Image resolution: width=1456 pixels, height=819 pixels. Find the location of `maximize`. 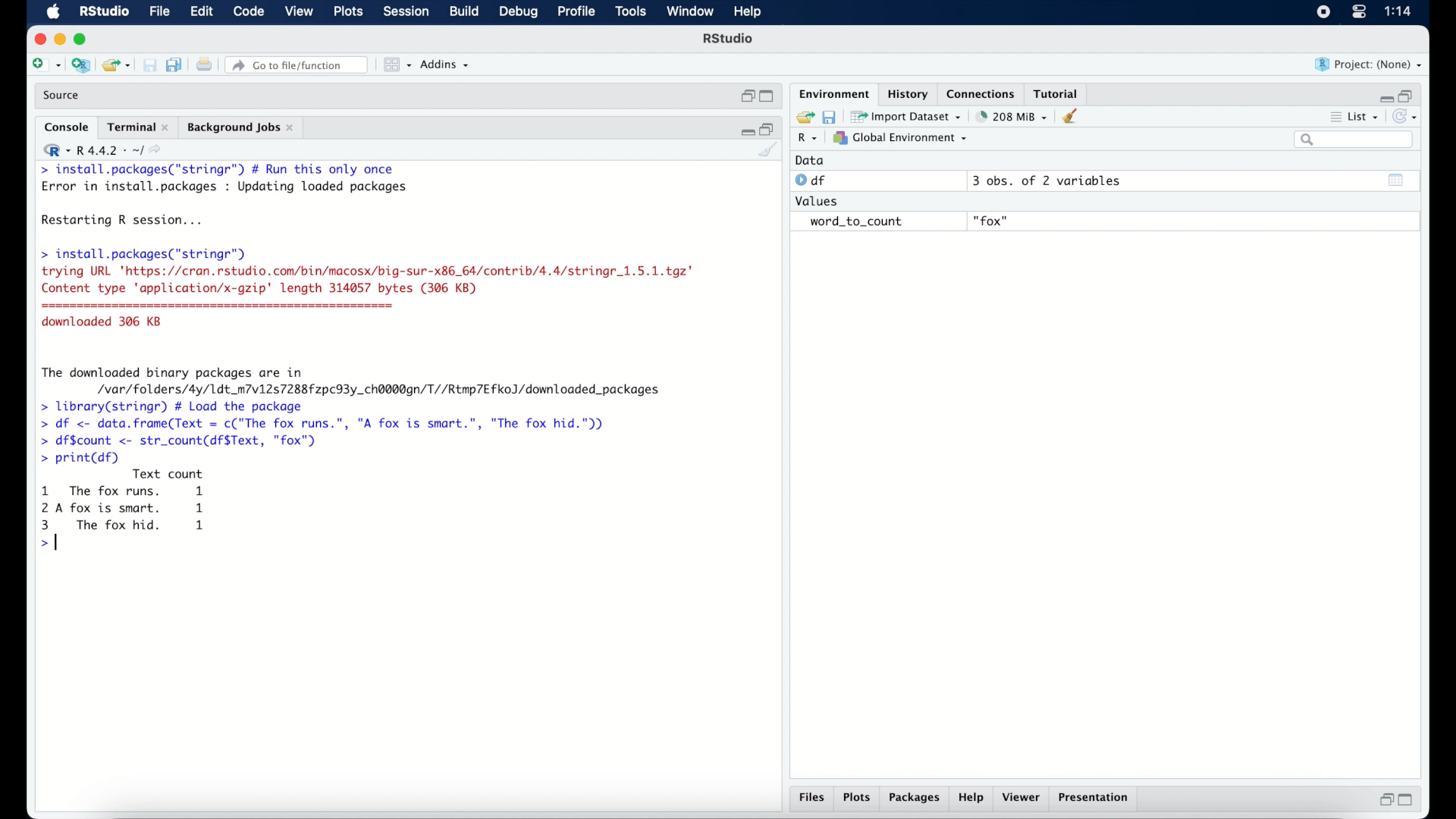

maximize is located at coordinates (83, 39).